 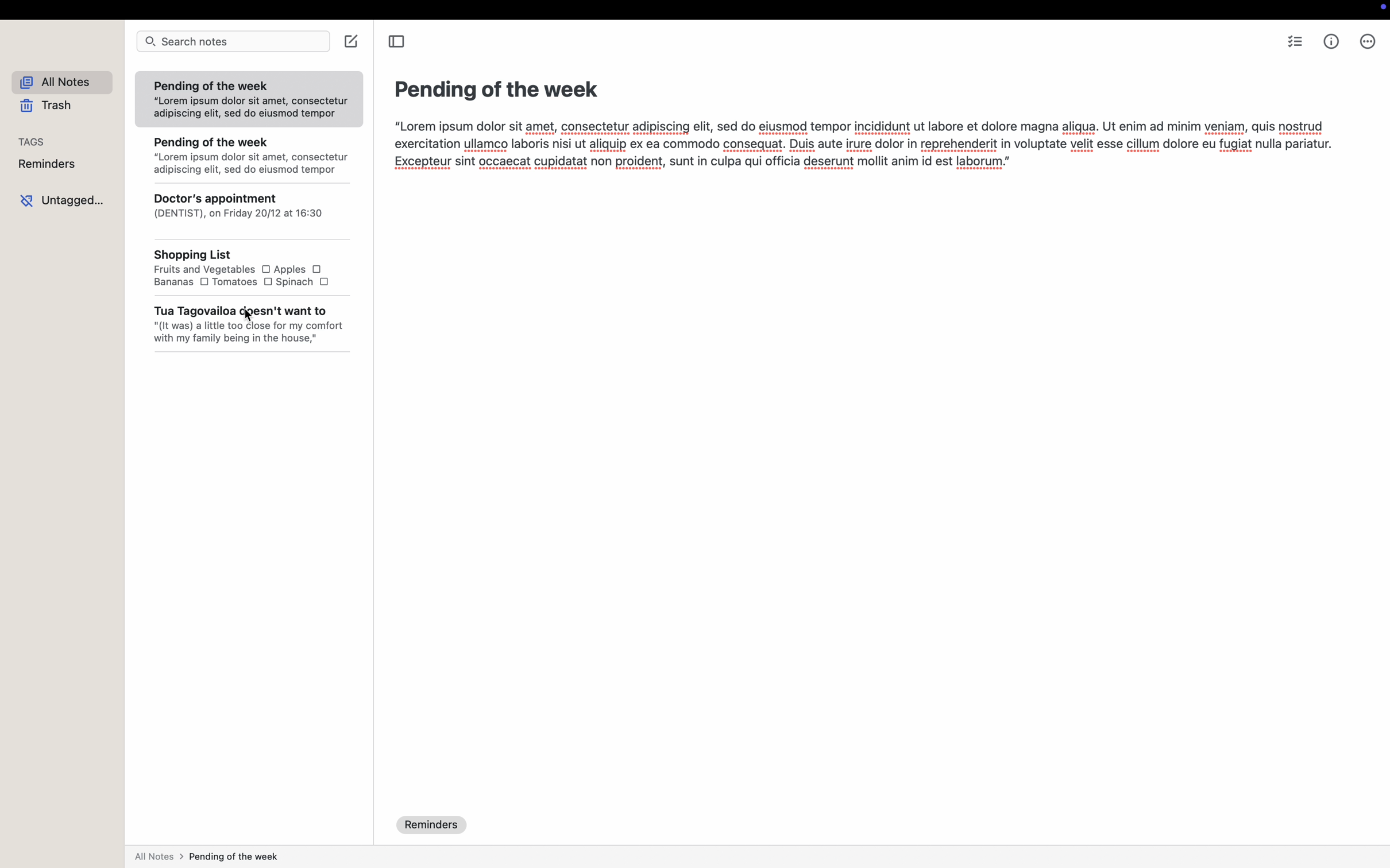 What do you see at coordinates (1379, 9) in the screenshot?
I see `screen controls` at bounding box center [1379, 9].